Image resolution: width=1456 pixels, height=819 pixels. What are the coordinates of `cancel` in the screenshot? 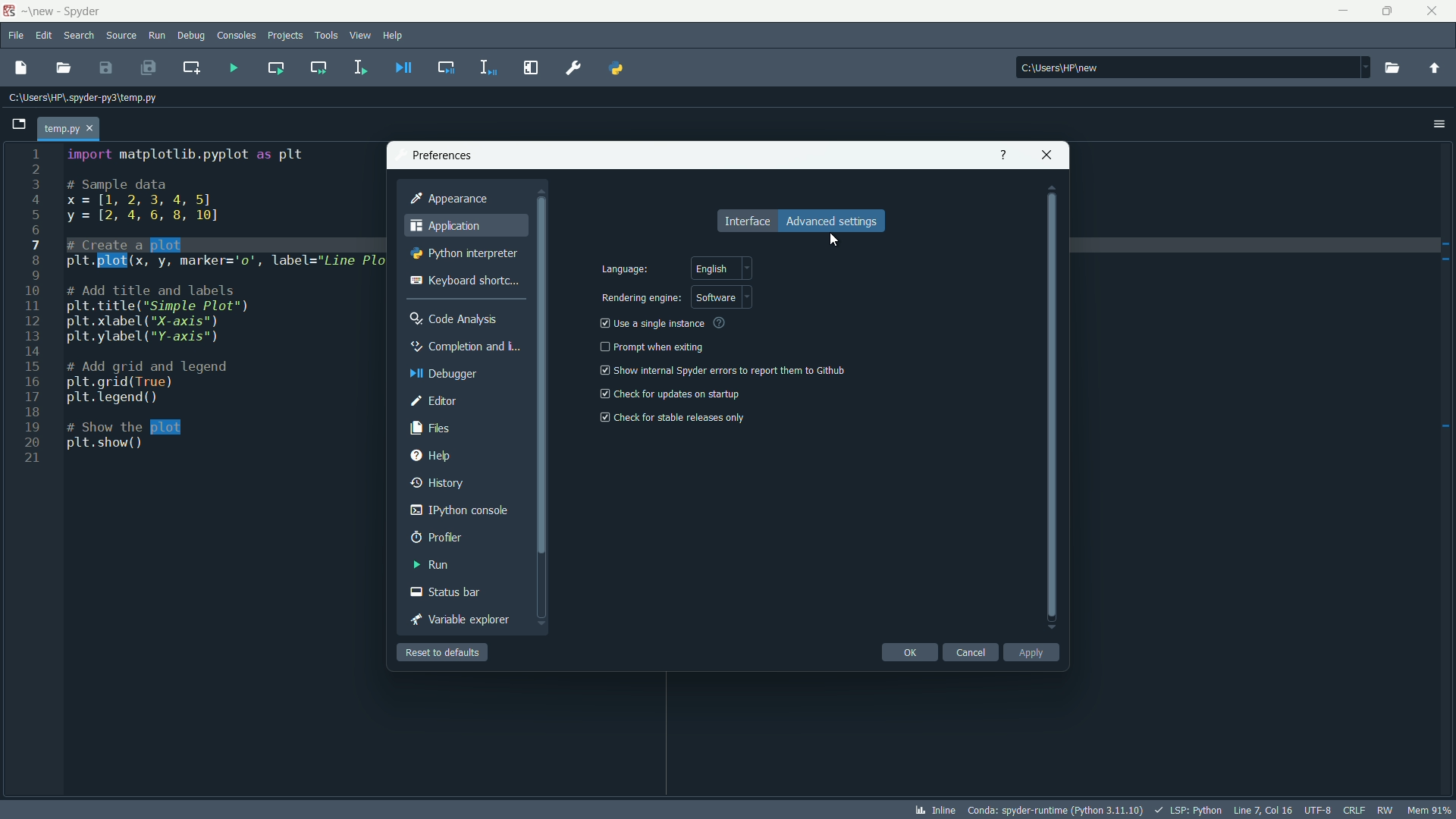 It's located at (971, 651).